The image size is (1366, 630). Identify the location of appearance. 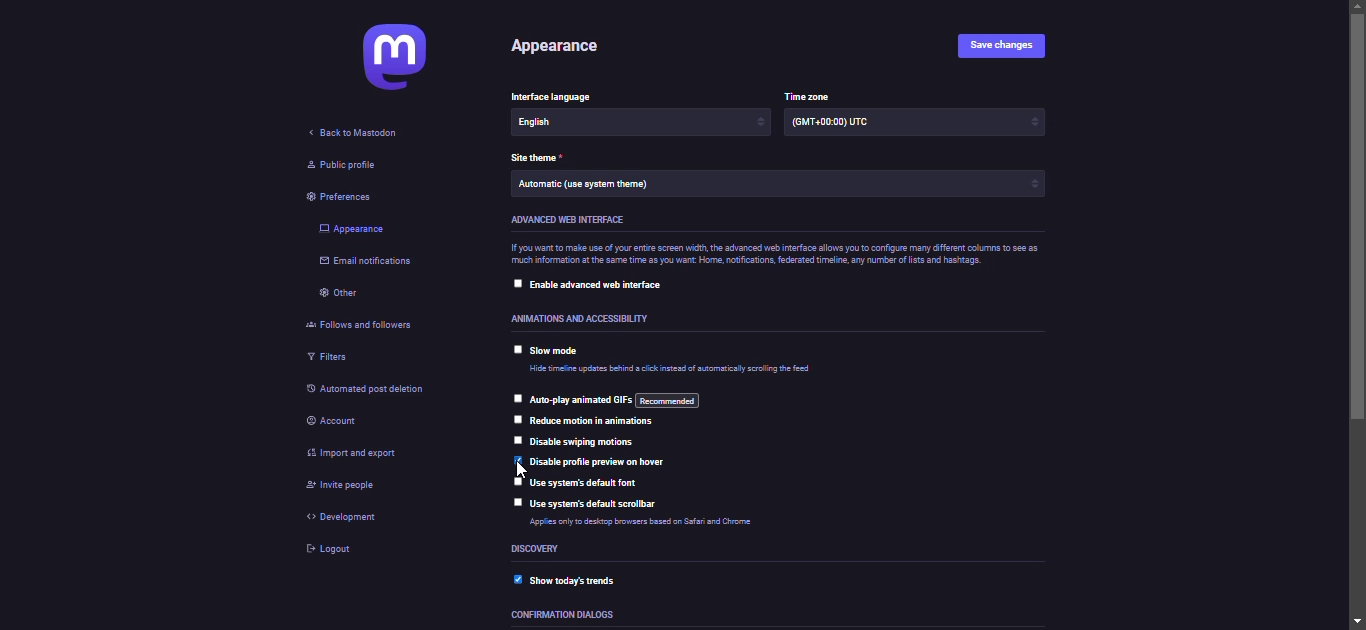
(551, 46).